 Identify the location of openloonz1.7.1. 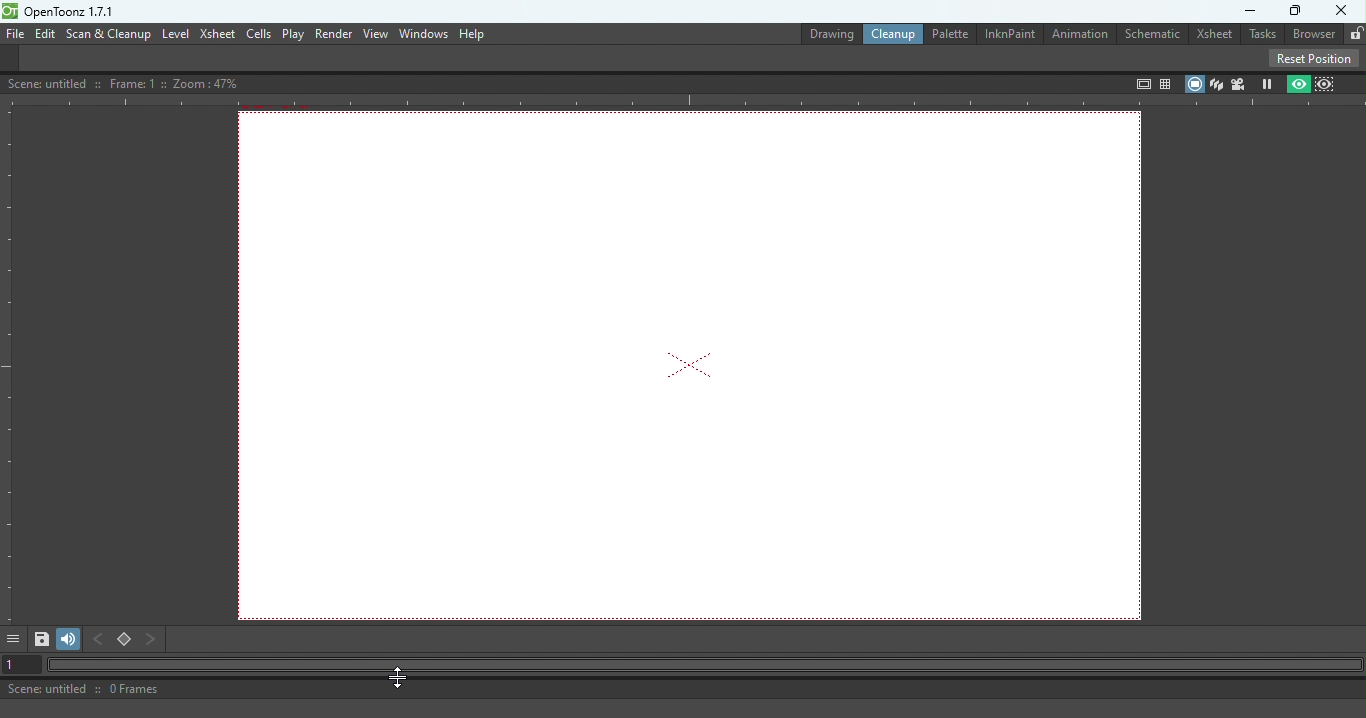
(75, 12).